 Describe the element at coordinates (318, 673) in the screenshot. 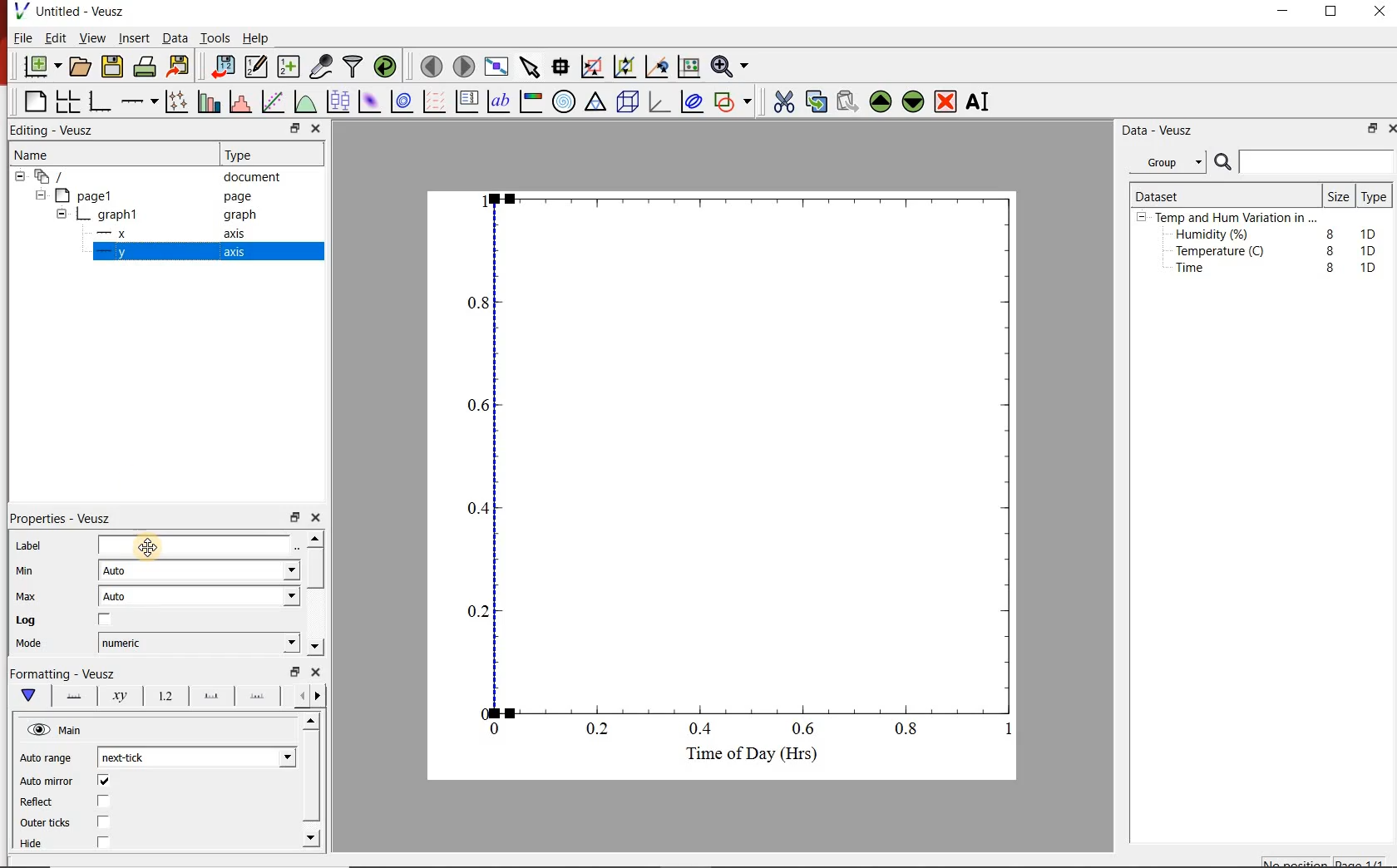

I see `close` at that location.